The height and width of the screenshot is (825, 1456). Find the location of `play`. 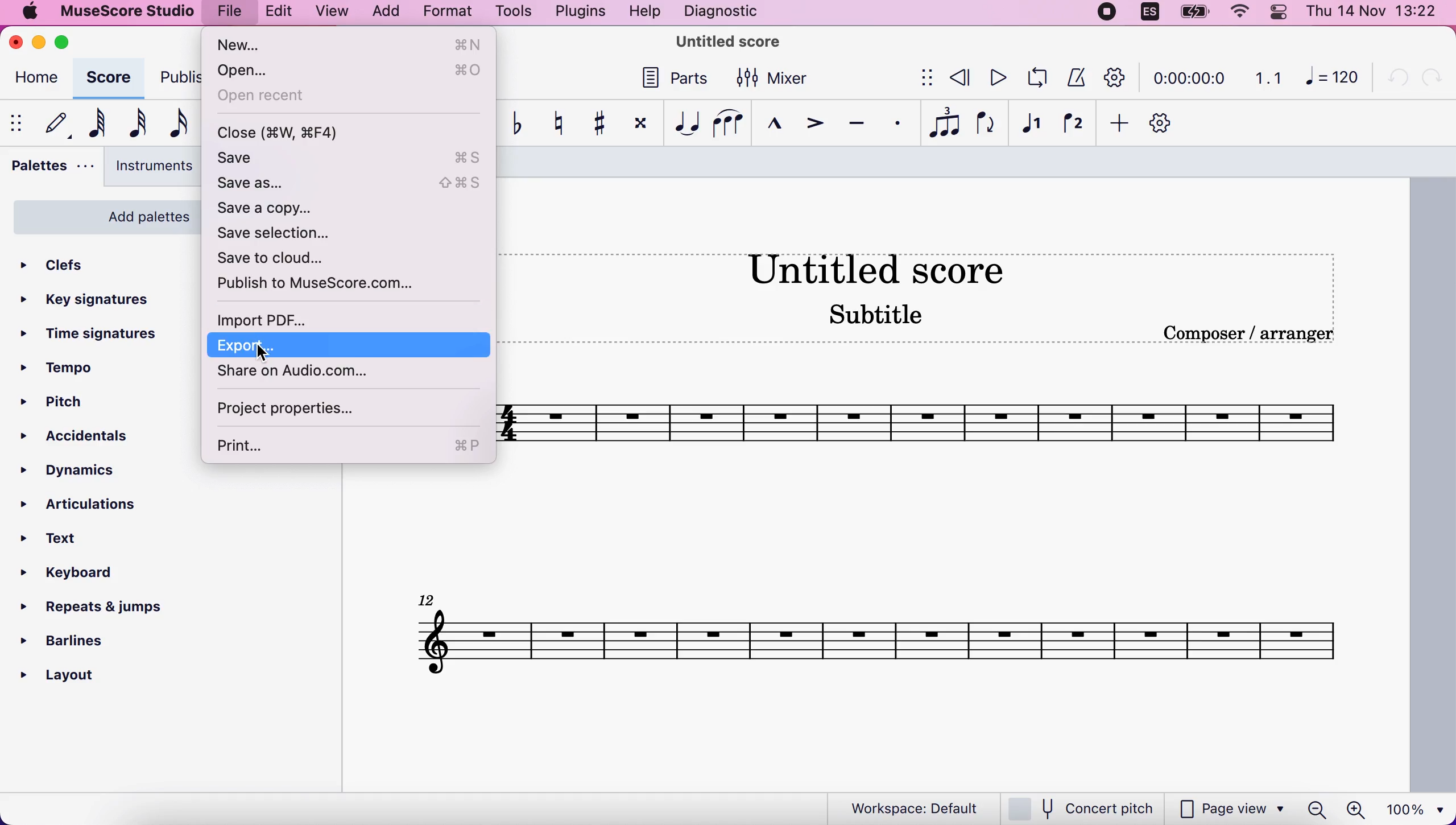

play is located at coordinates (994, 80).